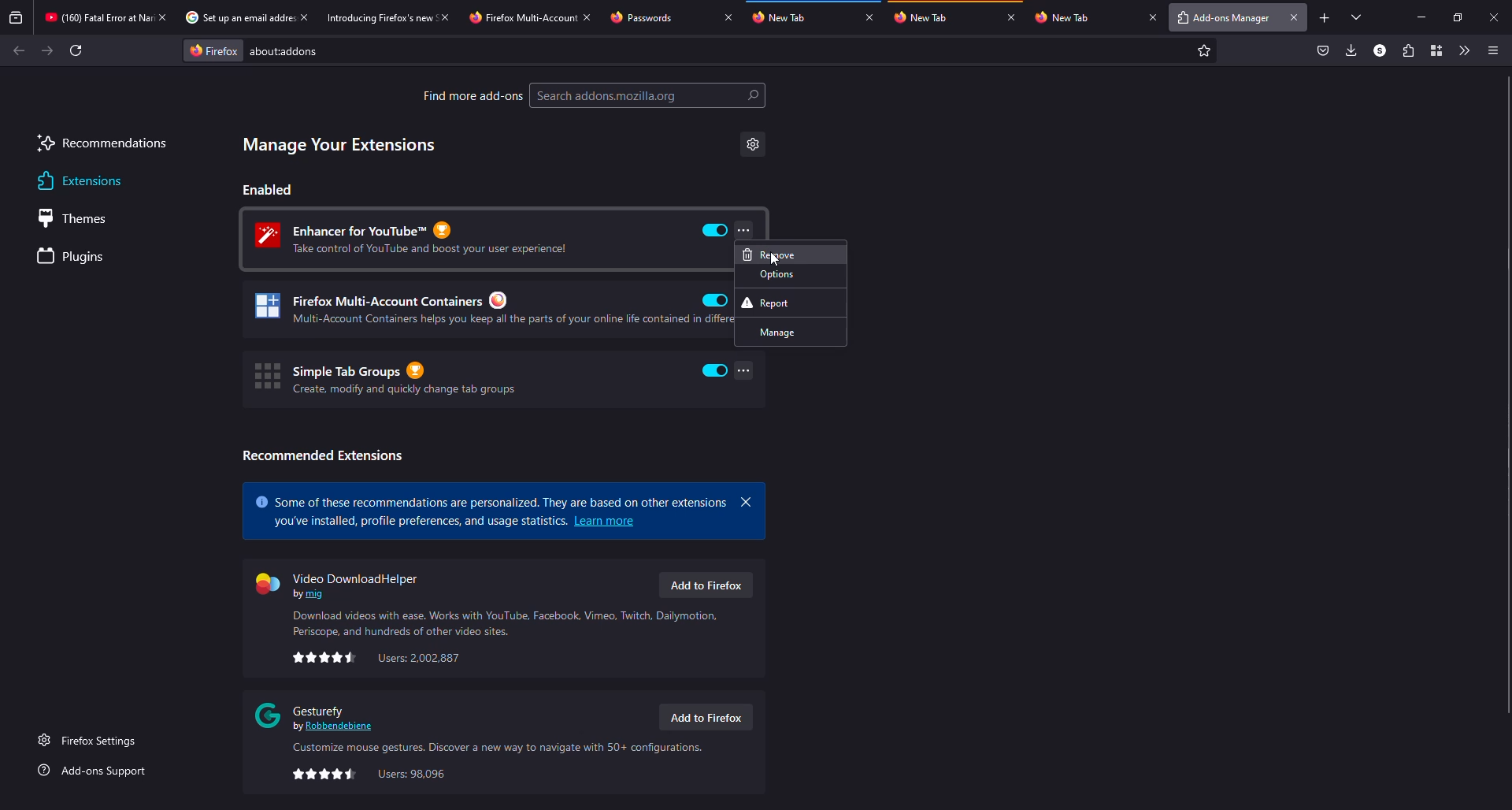 The height and width of the screenshot is (810, 1512). What do you see at coordinates (786, 16) in the screenshot?
I see `tab` at bounding box center [786, 16].